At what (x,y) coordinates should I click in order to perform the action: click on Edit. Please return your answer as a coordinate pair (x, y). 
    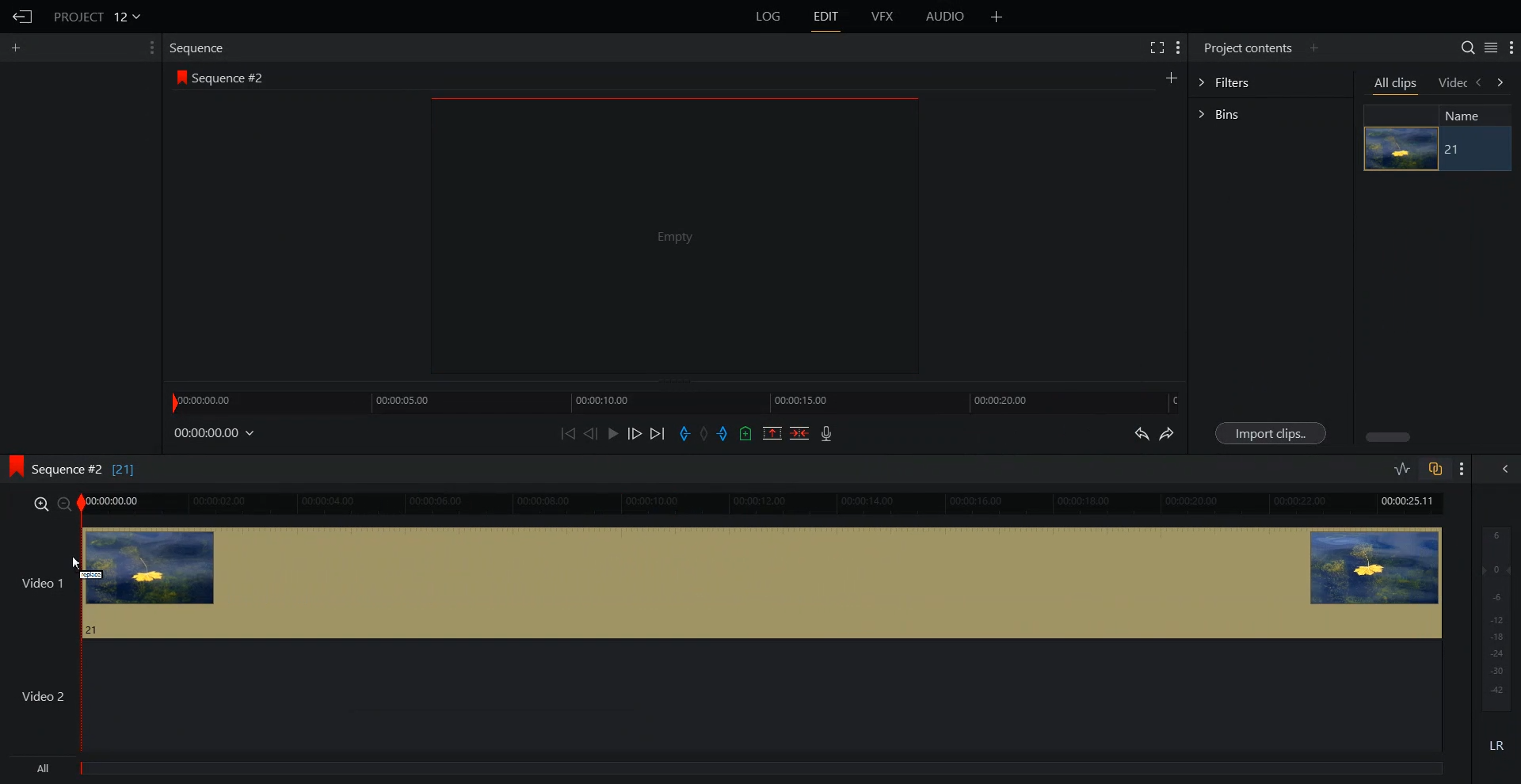
    Looking at the image, I should click on (825, 17).